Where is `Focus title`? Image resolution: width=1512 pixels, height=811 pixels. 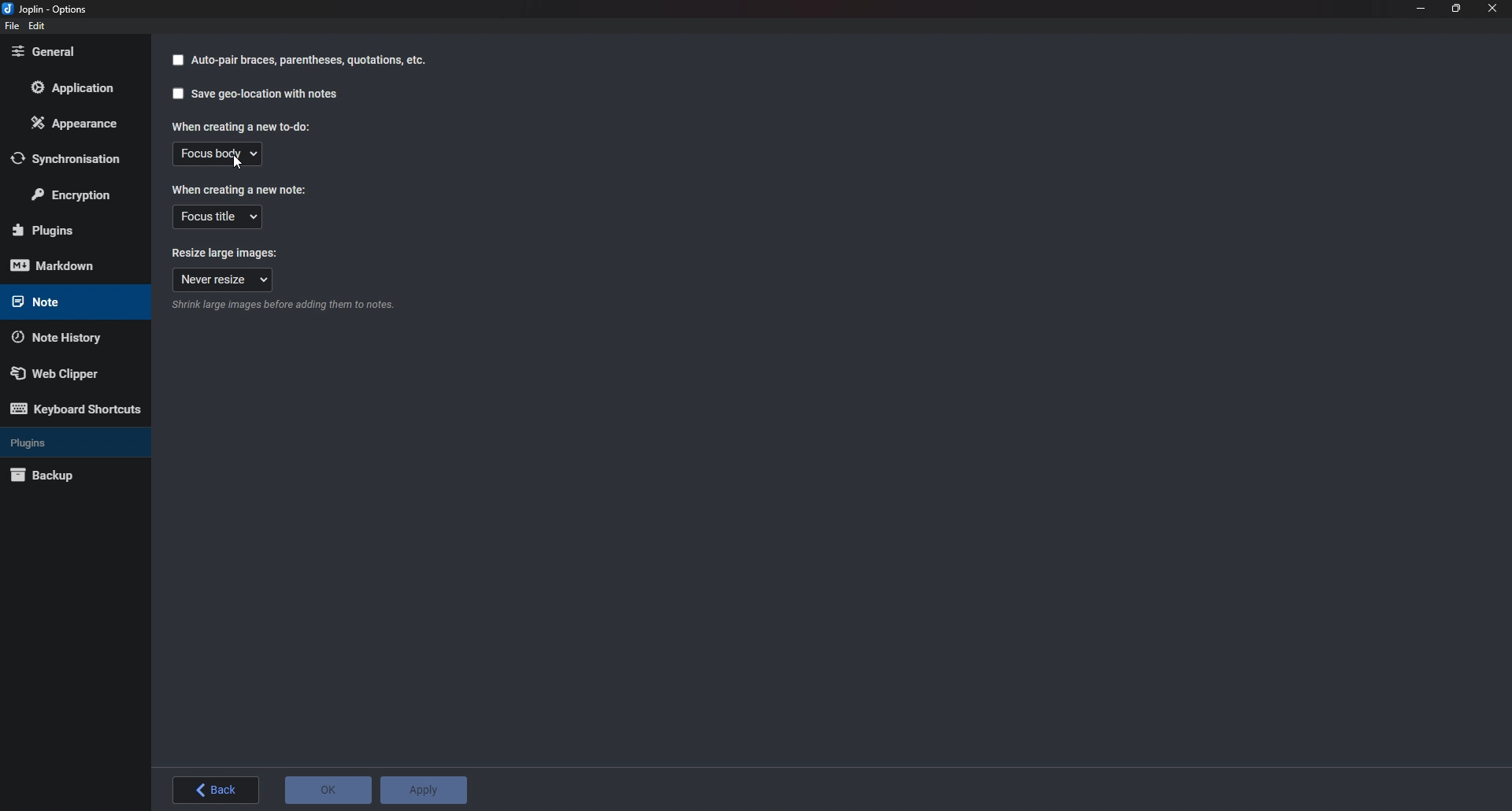 Focus title is located at coordinates (216, 218).